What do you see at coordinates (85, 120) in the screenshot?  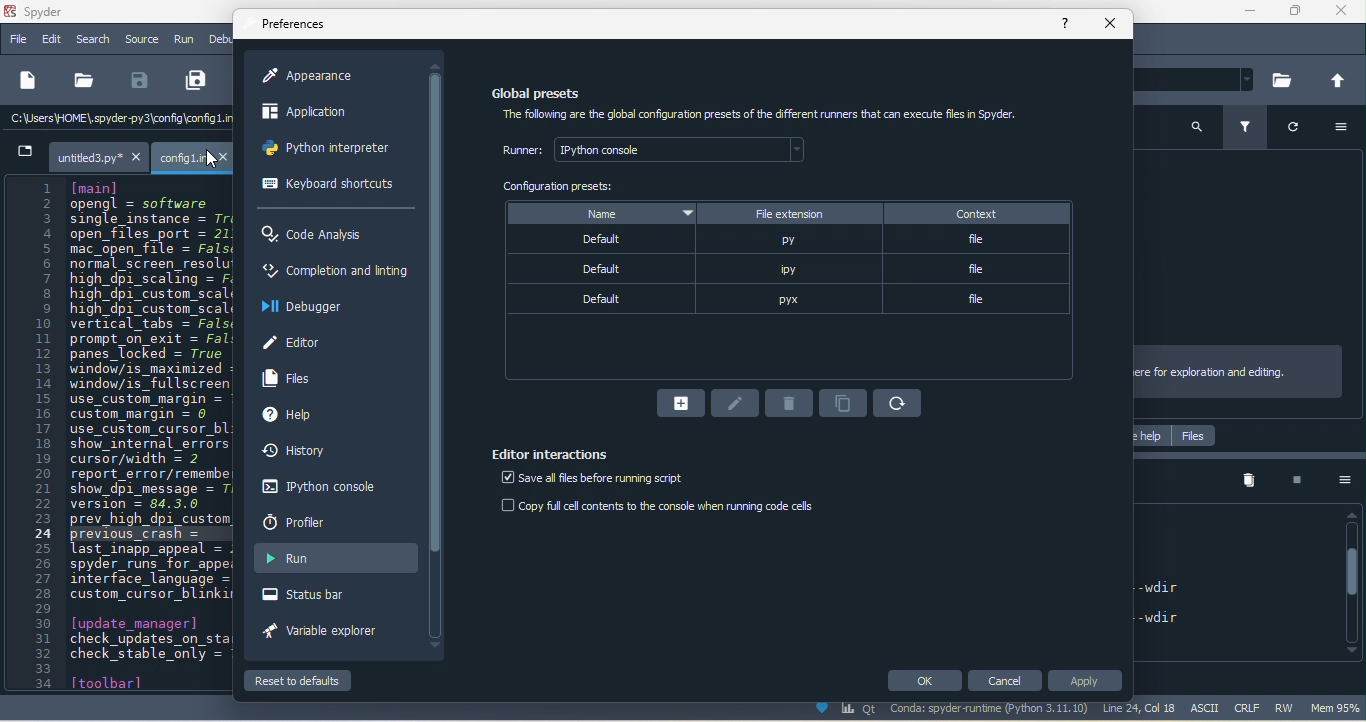 I see `c/users\home\spyder` at bounding box center [85, 120].